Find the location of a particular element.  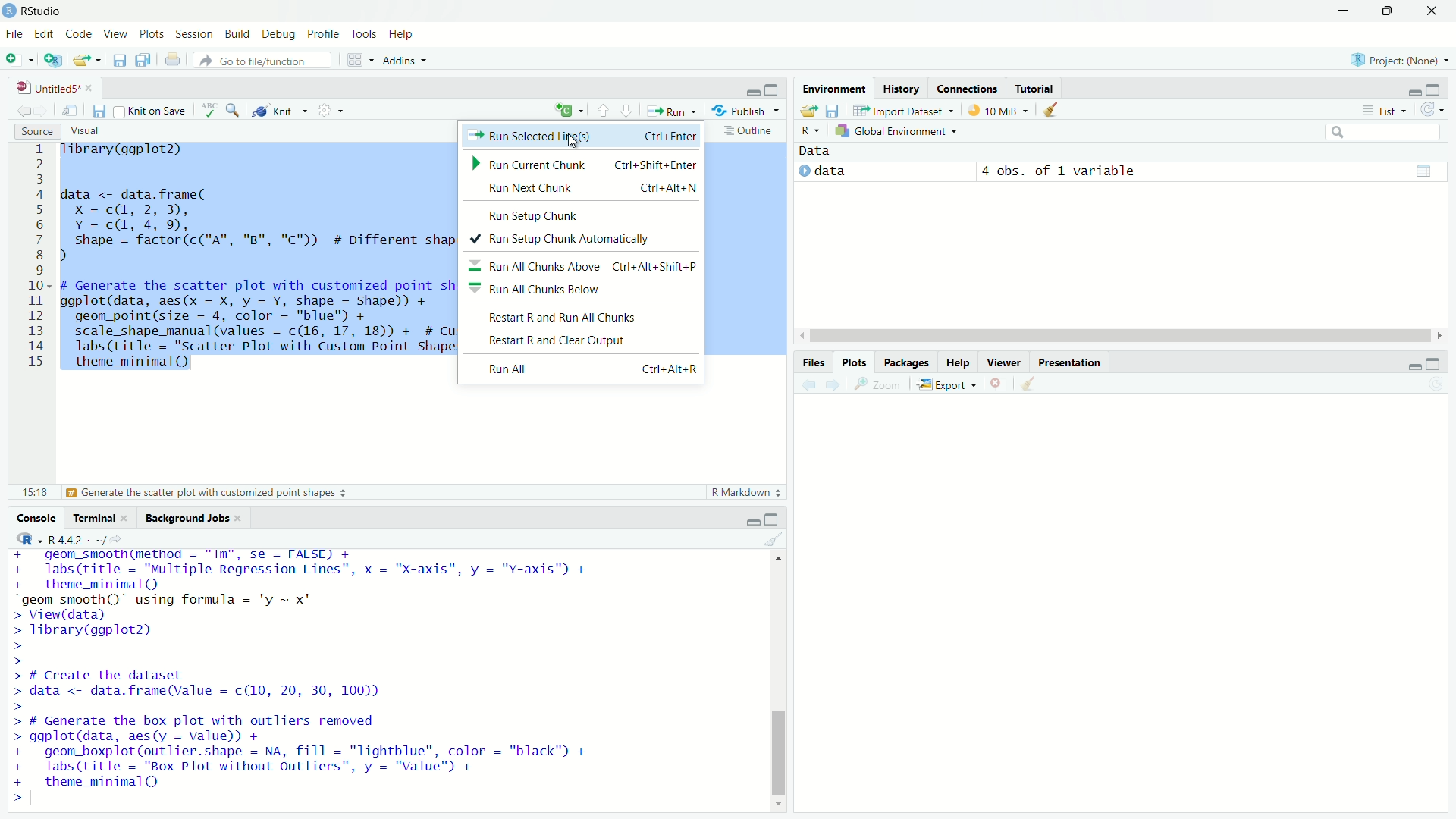

New file is located at coordinates (19, 60).